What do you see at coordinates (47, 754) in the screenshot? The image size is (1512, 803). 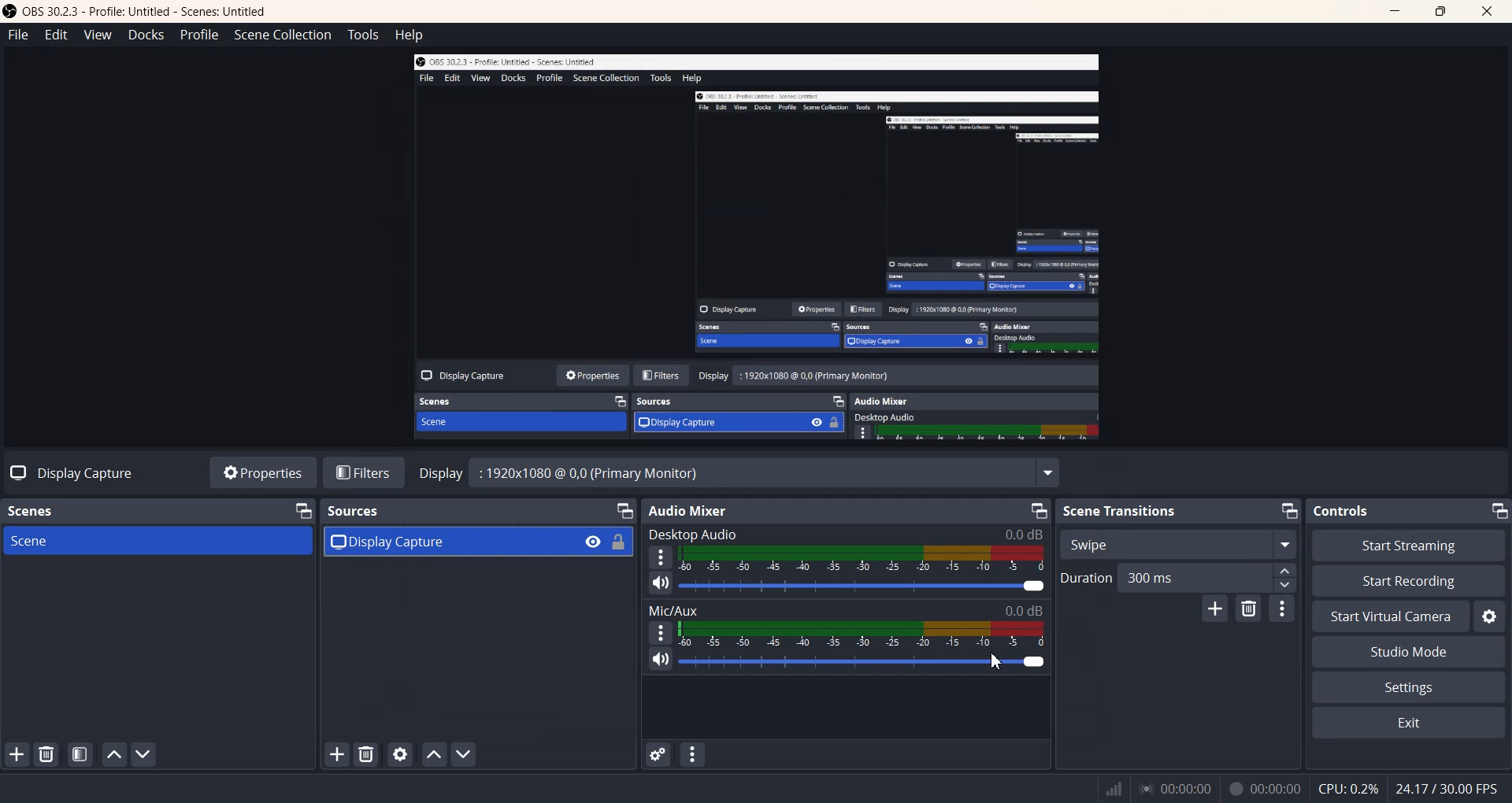 I see `Remove Selected scene` at bounding box center [47, 754].